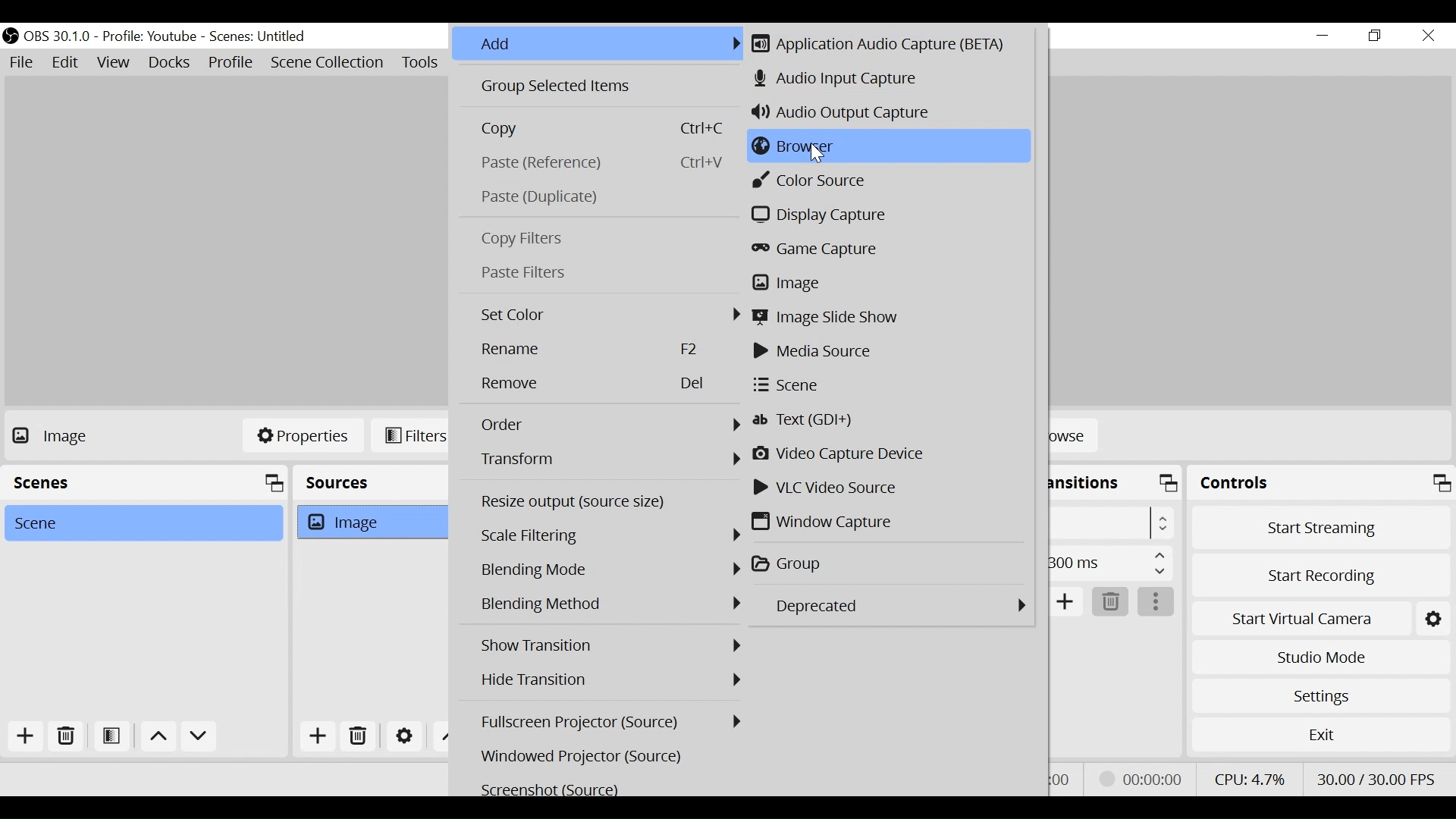 The height and width of the screenshot is (819, 1456). I want to click on Delete, so click(68, 738).